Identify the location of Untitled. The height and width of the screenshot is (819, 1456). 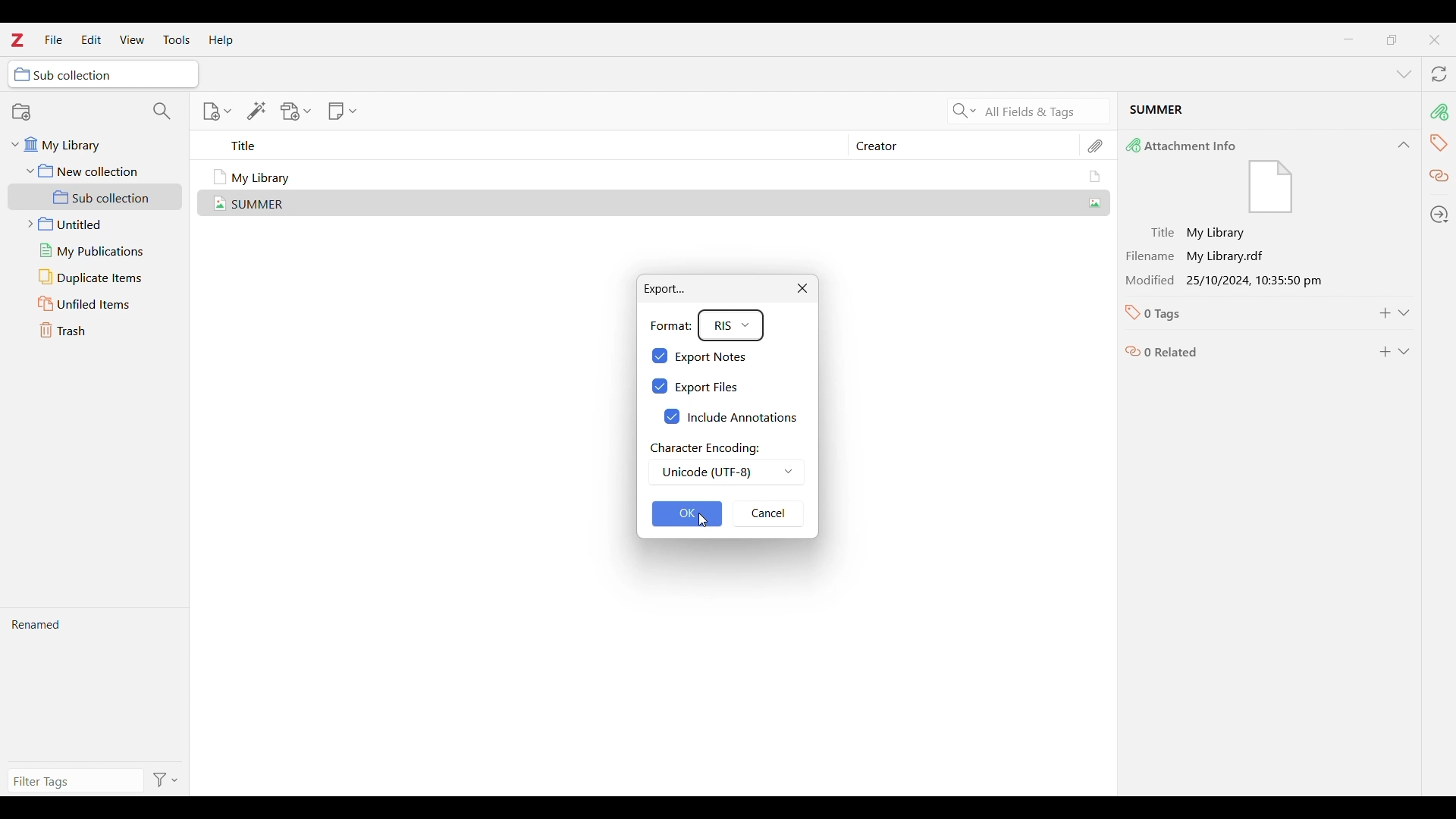
(96, 224).